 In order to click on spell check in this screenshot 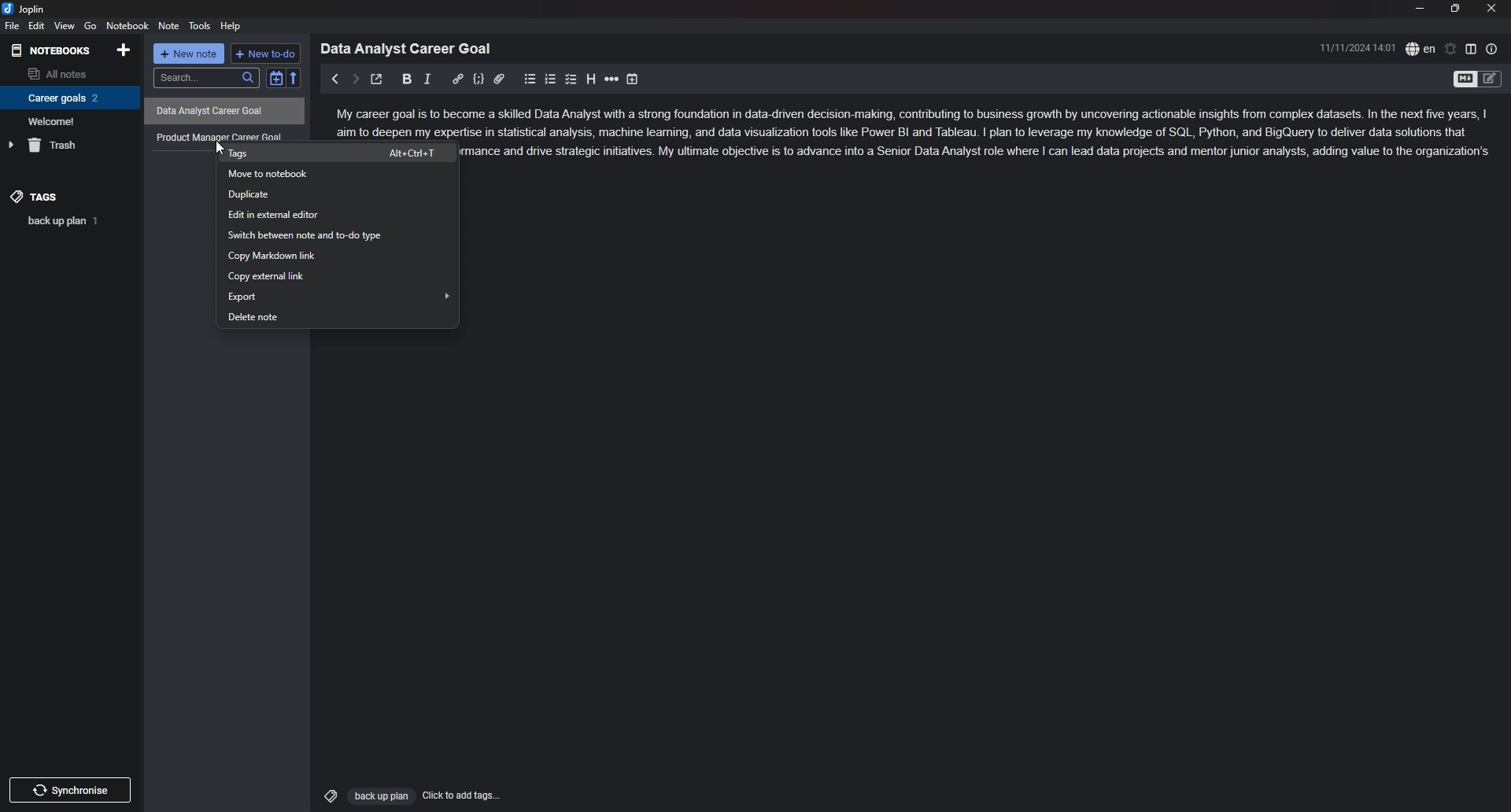, I will do `click(1420, 49)`.